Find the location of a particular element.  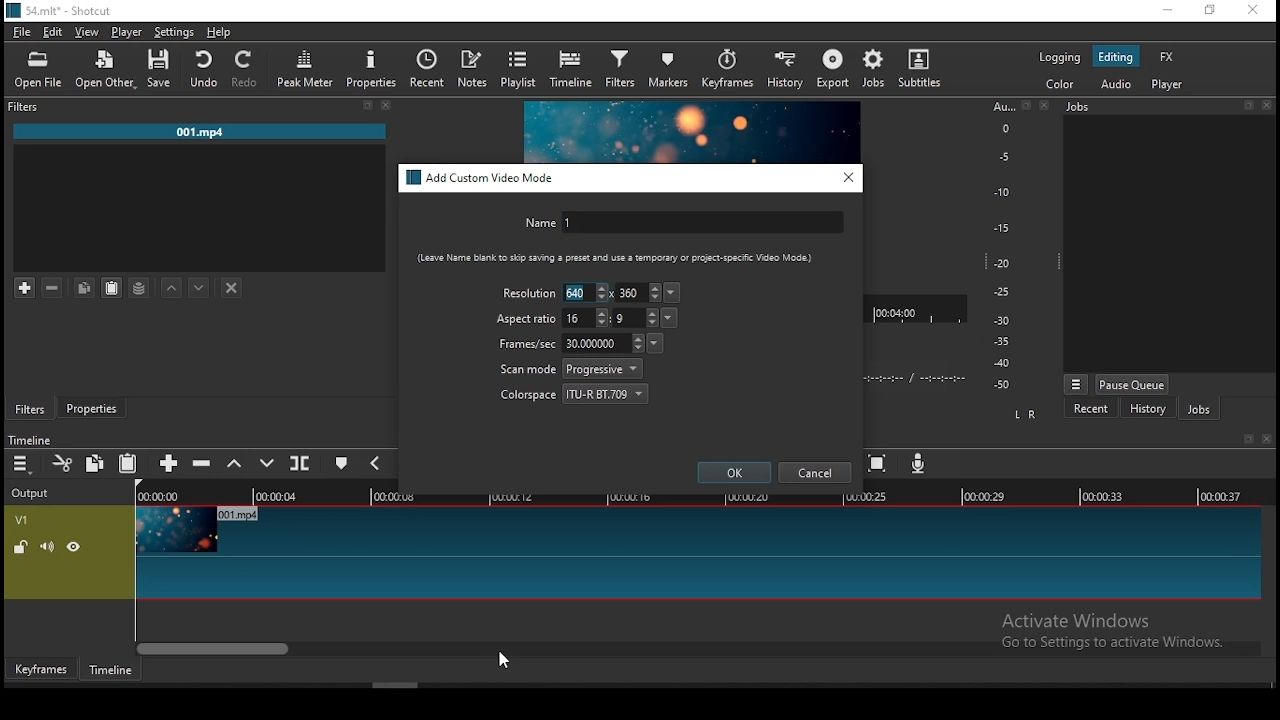

properties is located at coordinates (90, 405).